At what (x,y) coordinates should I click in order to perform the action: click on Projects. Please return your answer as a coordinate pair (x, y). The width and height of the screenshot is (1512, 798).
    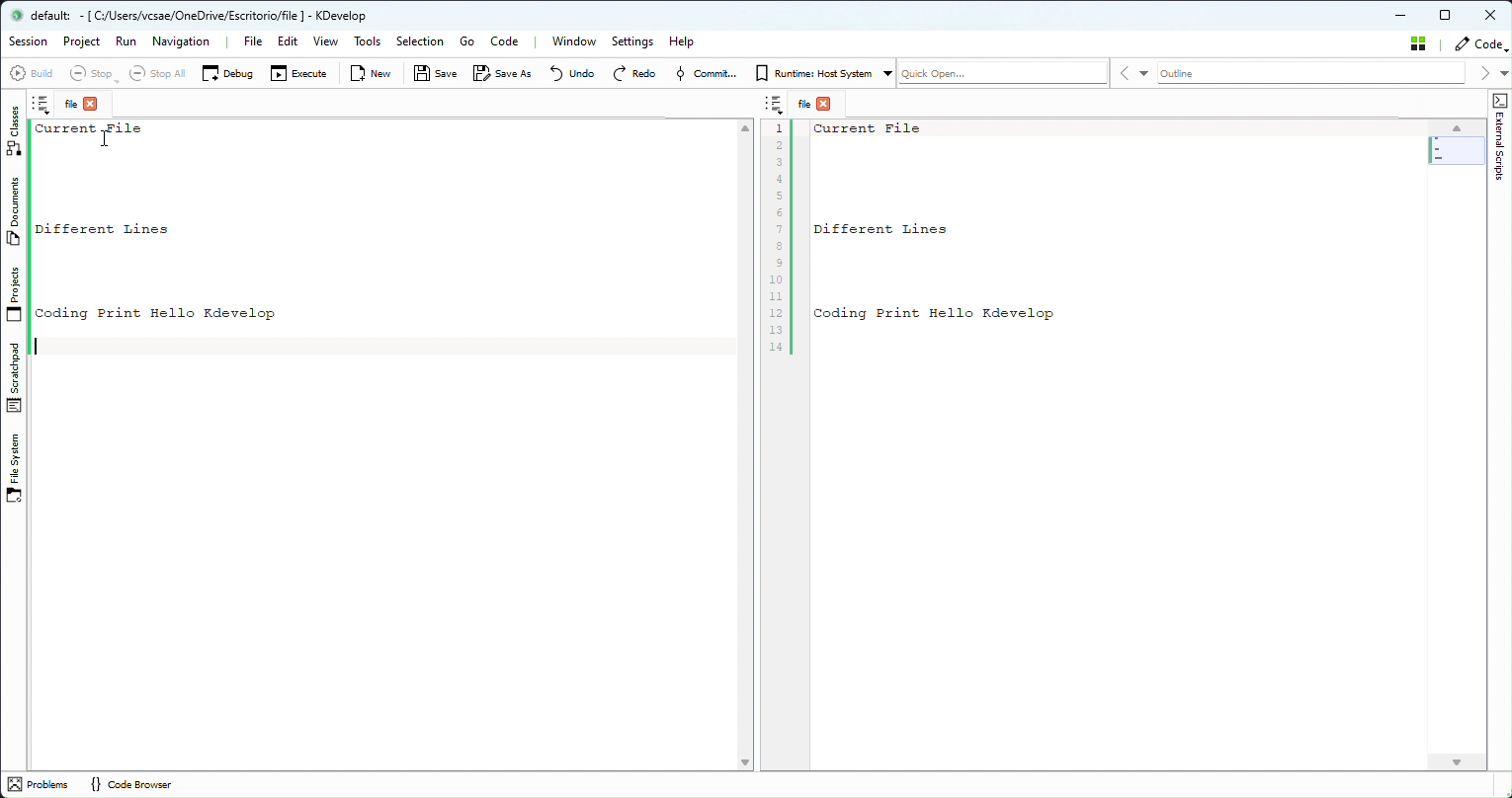
    Looking at the image, I should click on (19, 294).